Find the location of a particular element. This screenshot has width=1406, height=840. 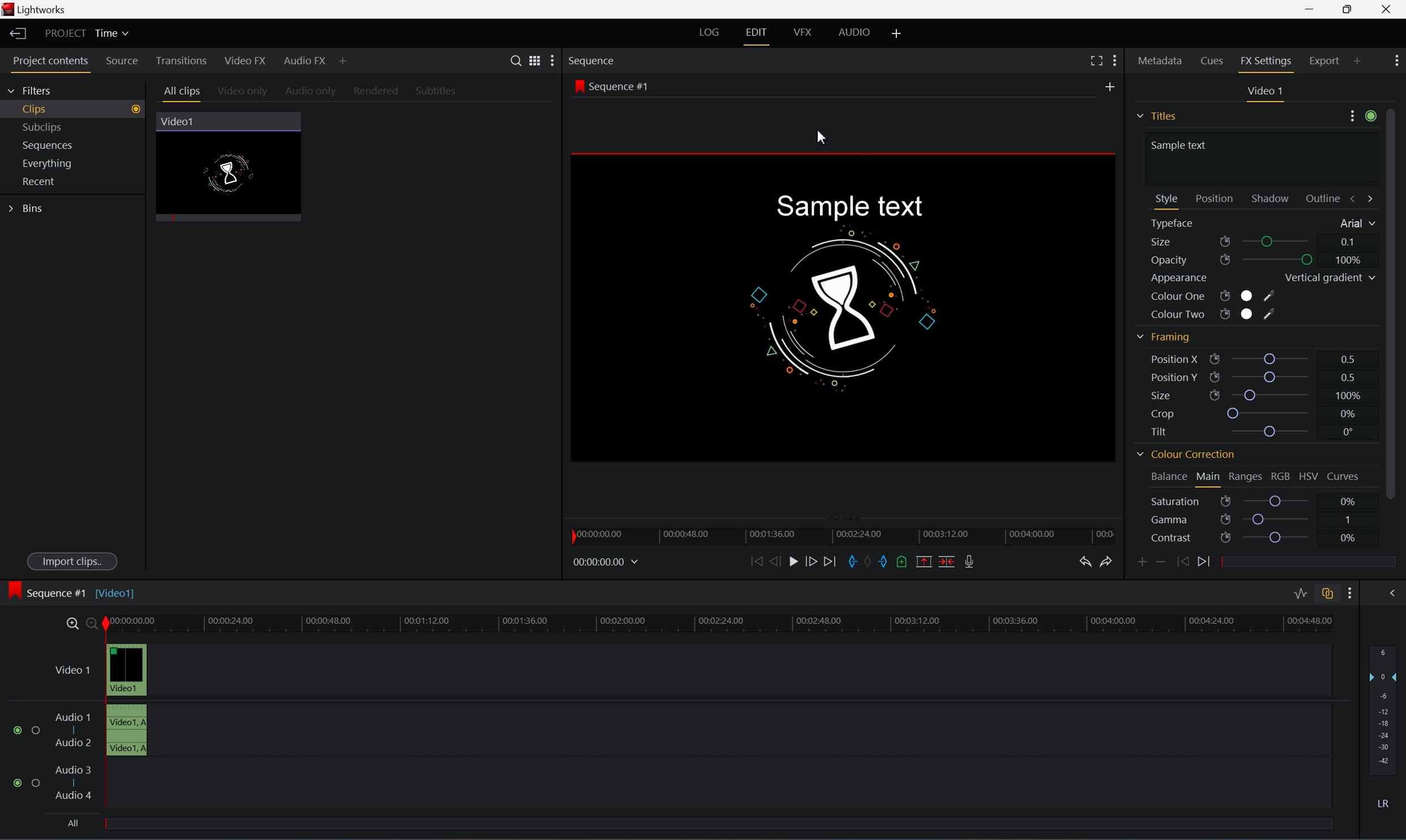

slider is located at coordinates (1281, 242).